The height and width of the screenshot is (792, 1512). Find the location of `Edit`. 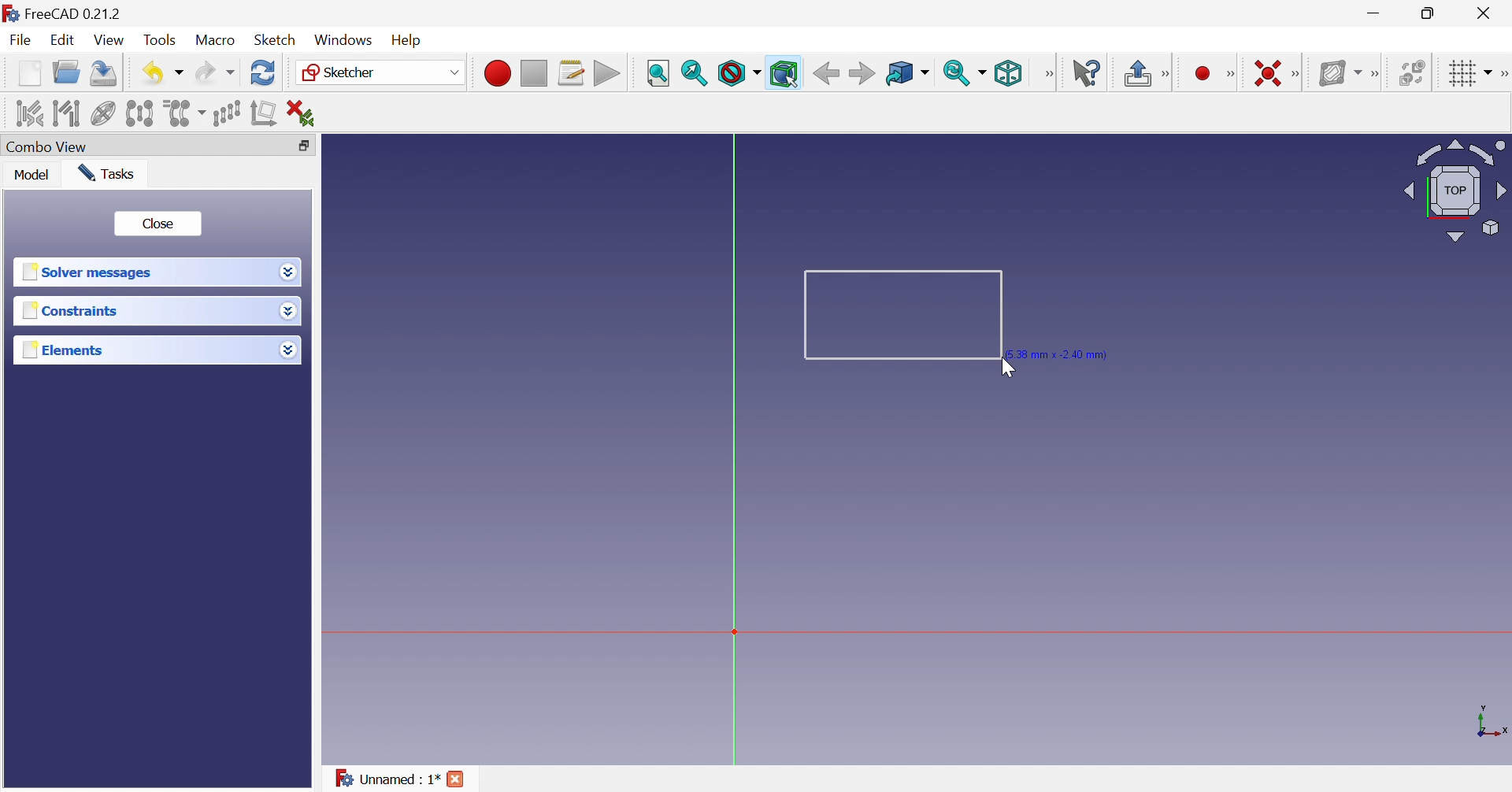

Edit is located at coordinates (62, 41).